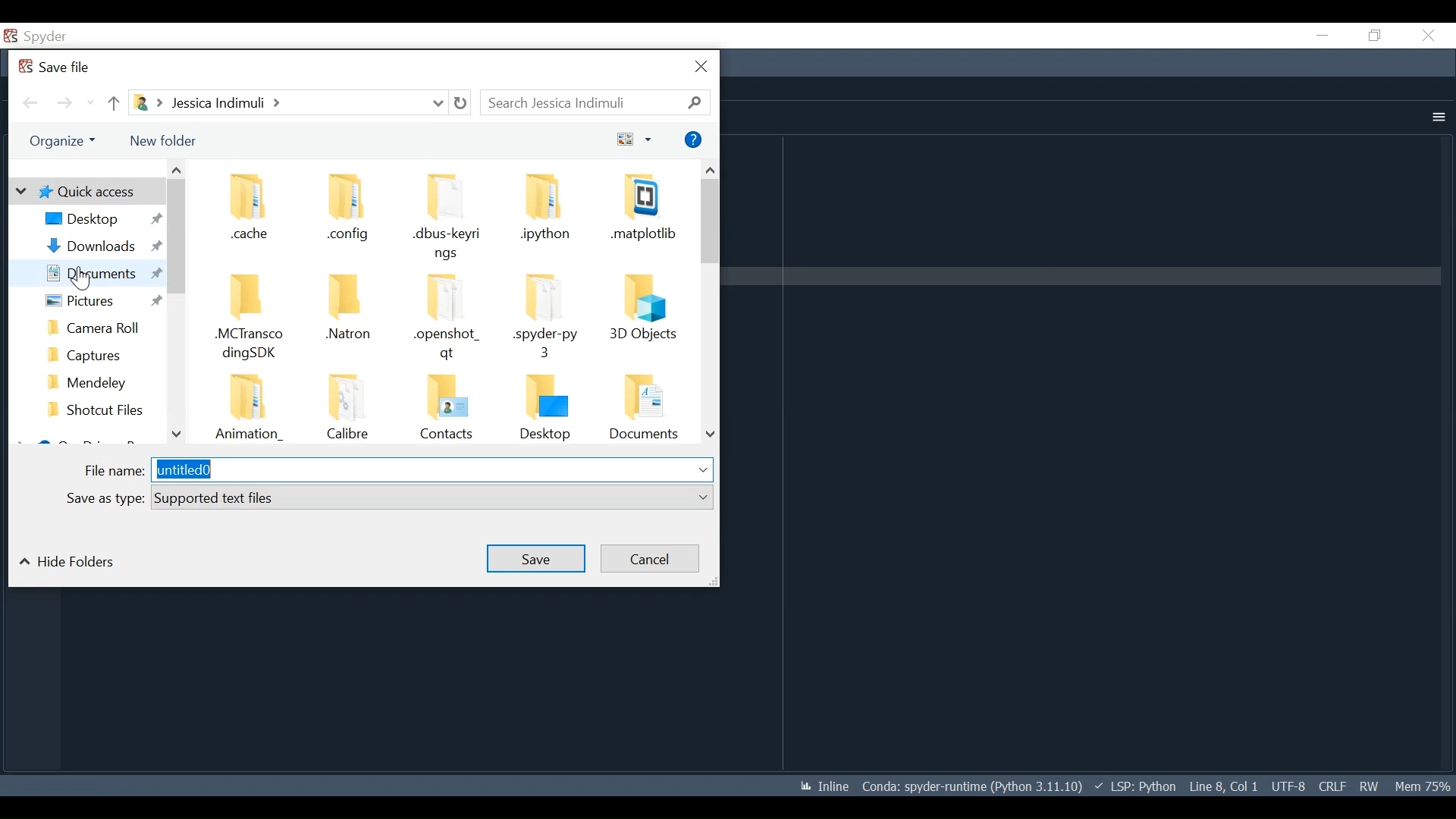 The height and width of the screenshot is (819, 1456). What do you see at coordinates (548, 214) in the screenshot?
I see `Folder` at bounding box center [548, 214].